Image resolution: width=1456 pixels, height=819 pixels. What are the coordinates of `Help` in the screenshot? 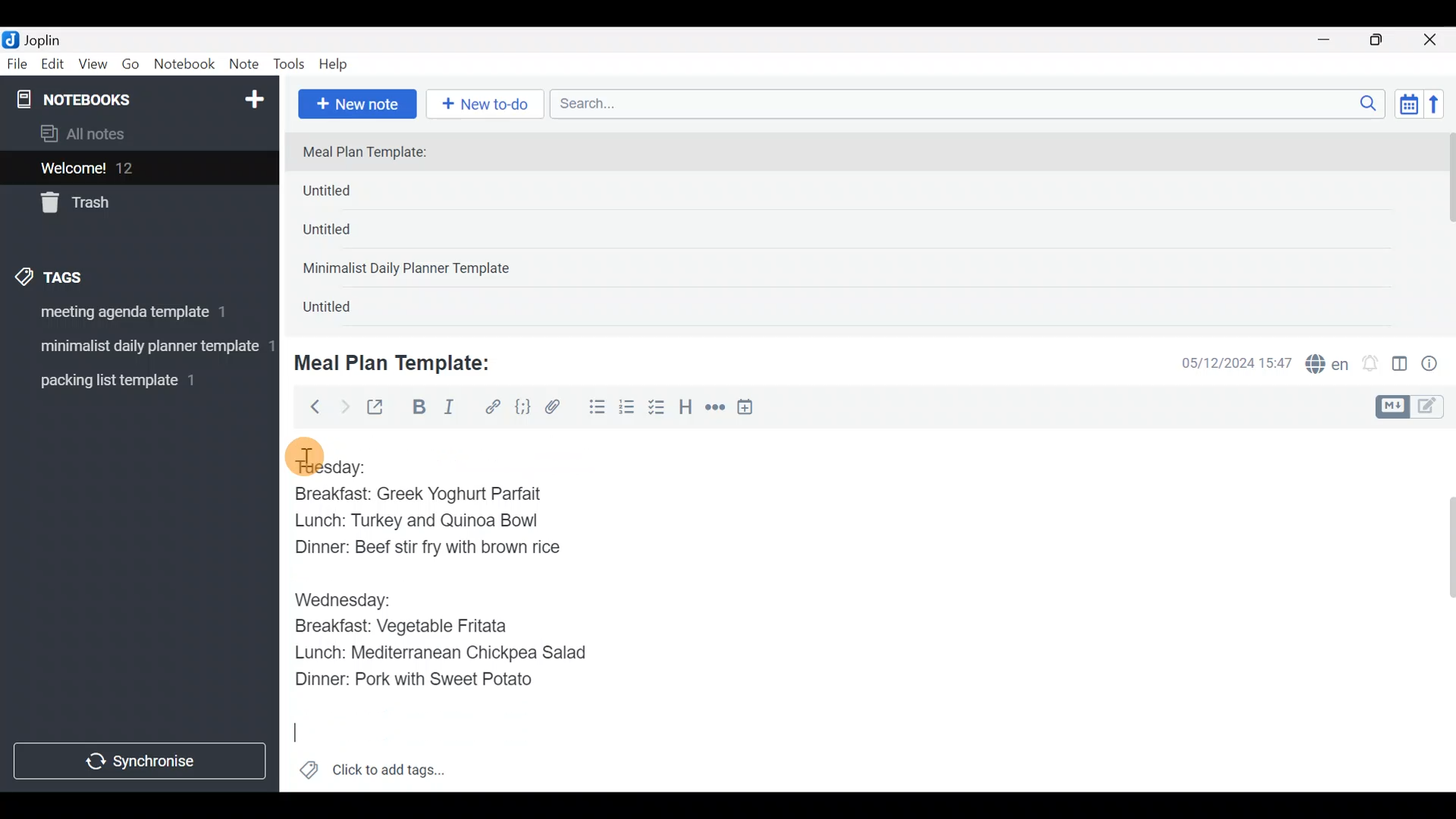 It's located at (339, 61).